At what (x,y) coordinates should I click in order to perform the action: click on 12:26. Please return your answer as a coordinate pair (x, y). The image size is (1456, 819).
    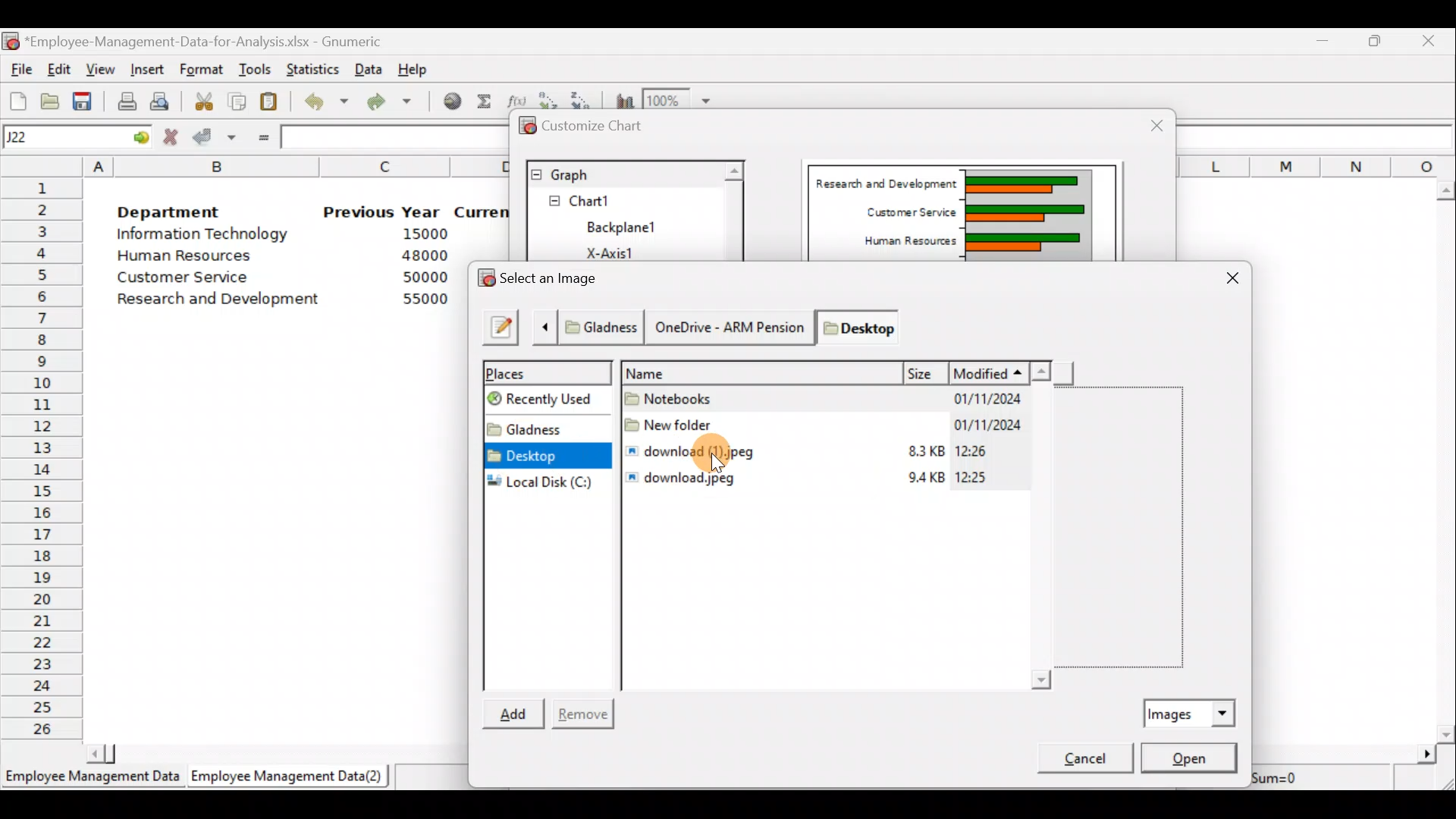
    Looking at the image, I should click on (979, 453).